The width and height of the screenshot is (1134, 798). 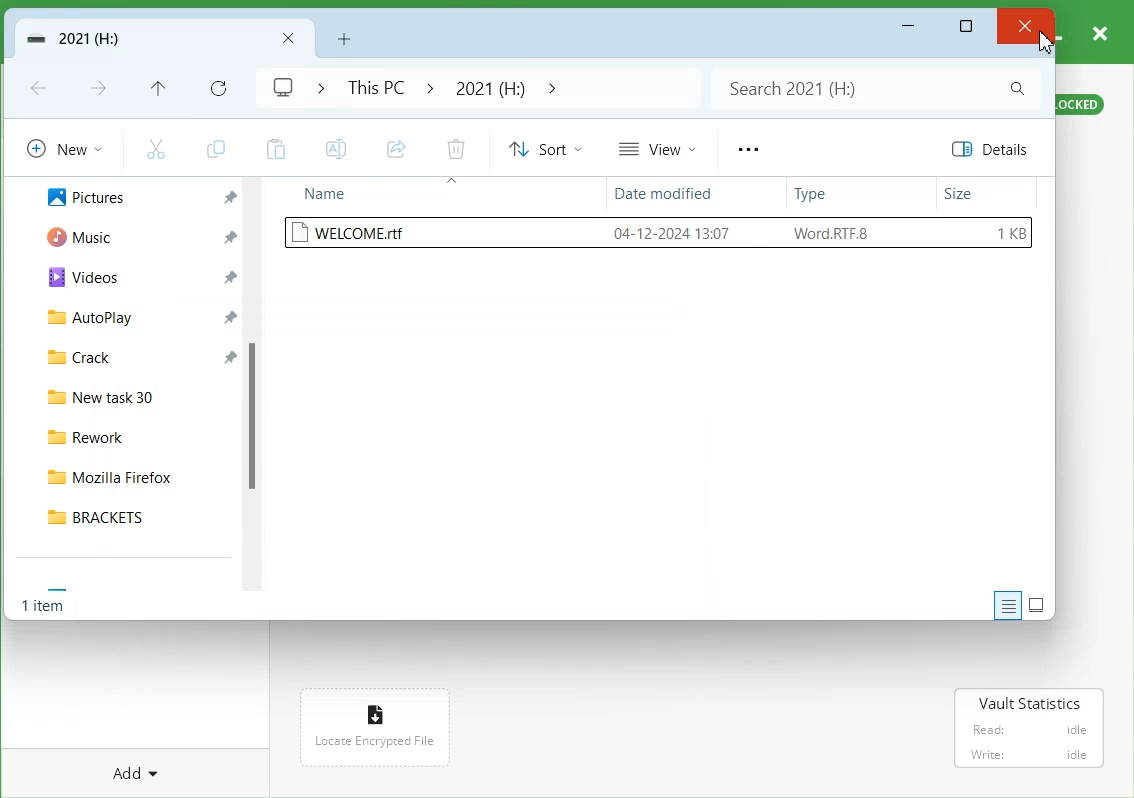 I want to click on Videos, so click(x=84, y=278).